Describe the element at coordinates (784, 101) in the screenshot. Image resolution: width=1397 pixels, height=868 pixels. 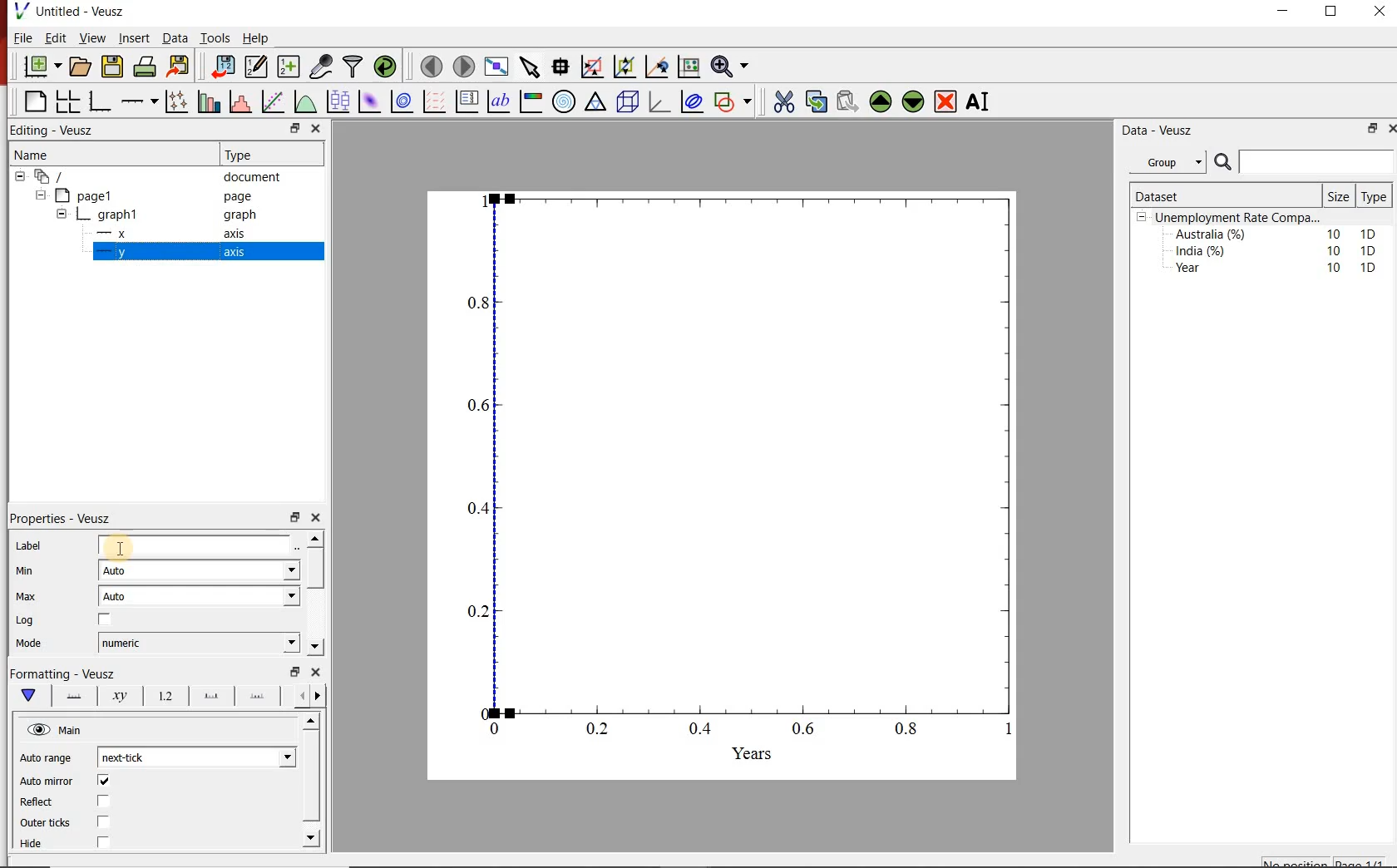
I see `cut the widgets` at that location.